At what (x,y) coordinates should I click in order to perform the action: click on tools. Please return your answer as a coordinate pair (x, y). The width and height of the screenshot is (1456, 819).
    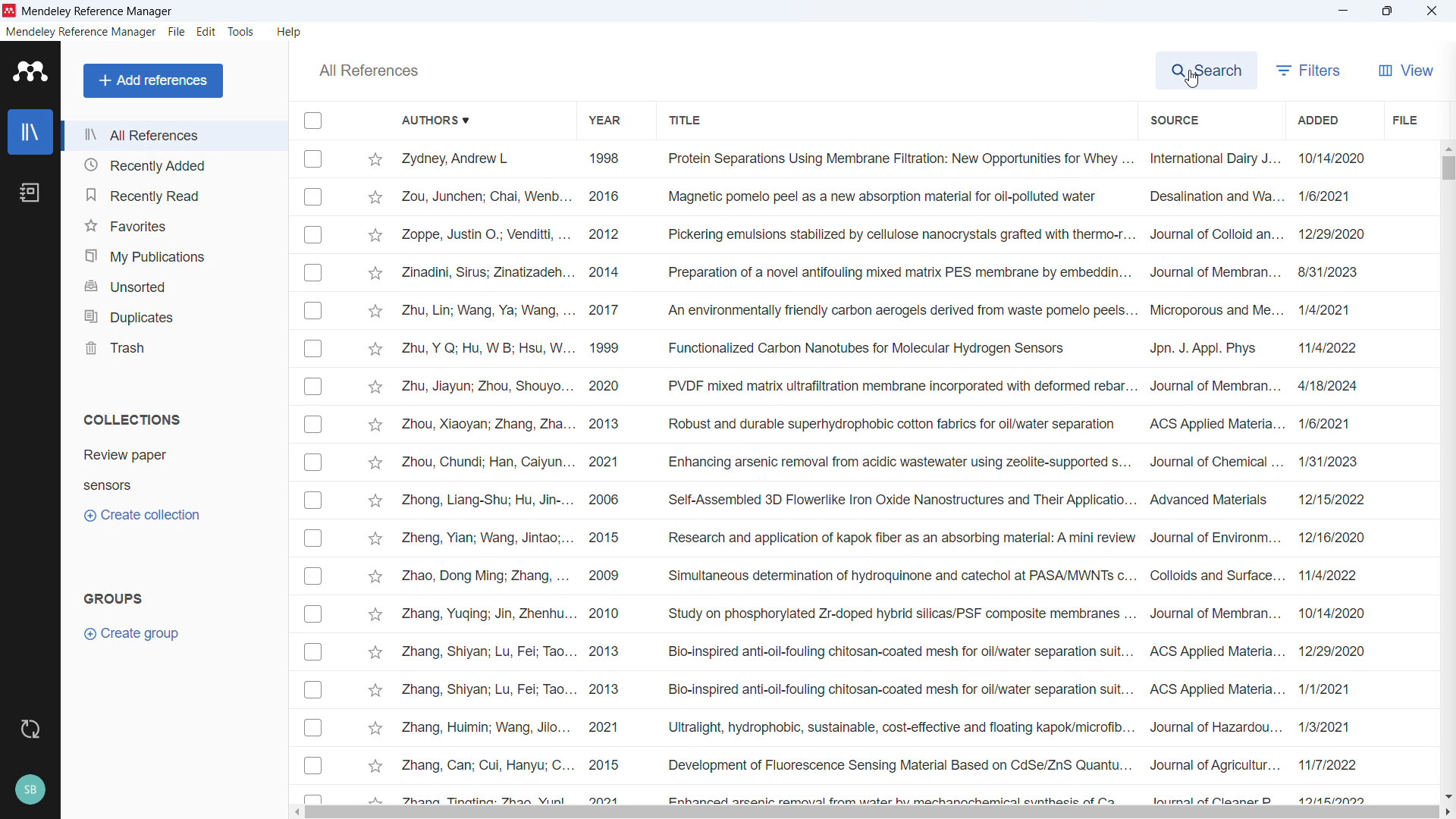
    Looking at the image, I should click on (240, 32).